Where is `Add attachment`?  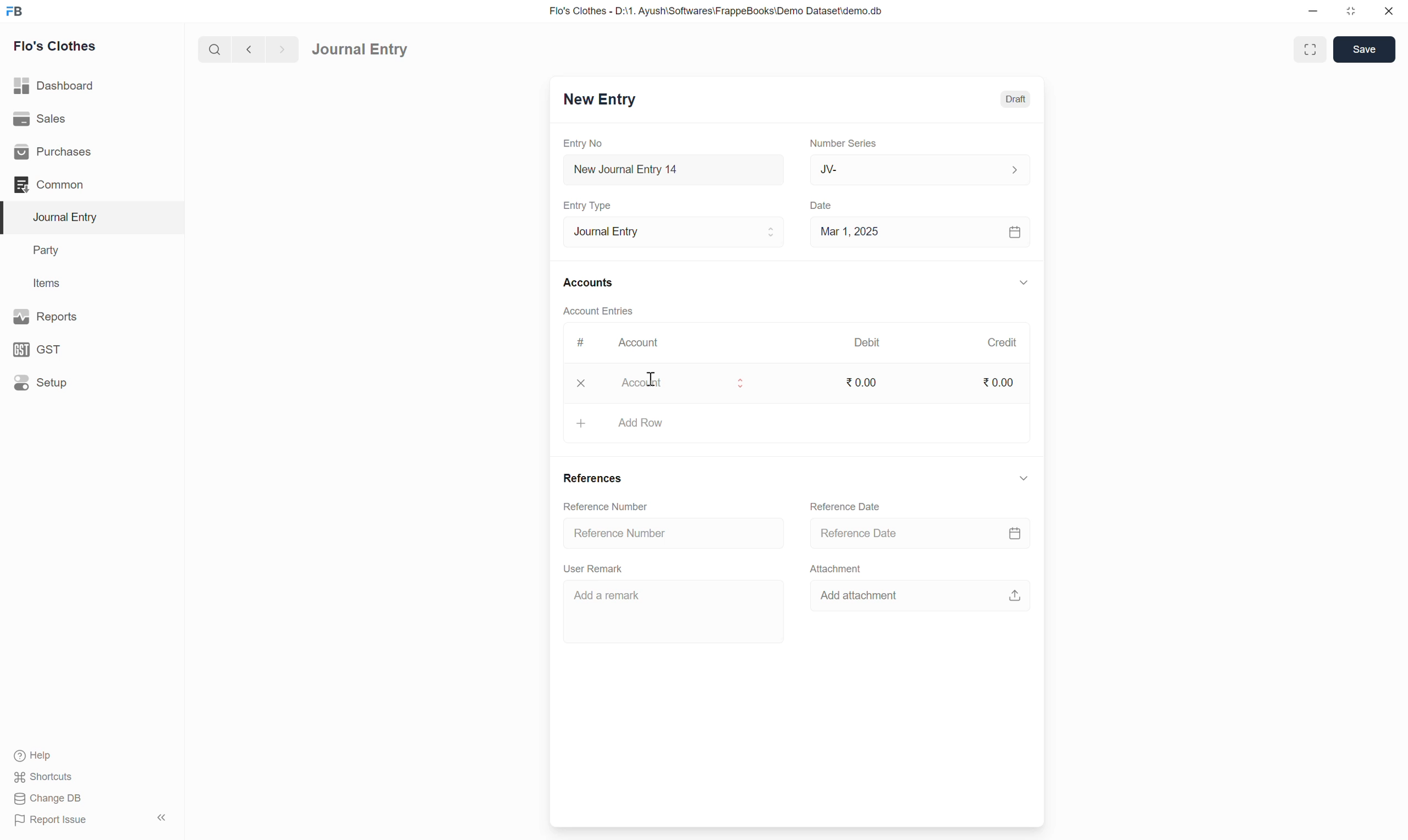
Add attachment is located at coordinates (869, 596).